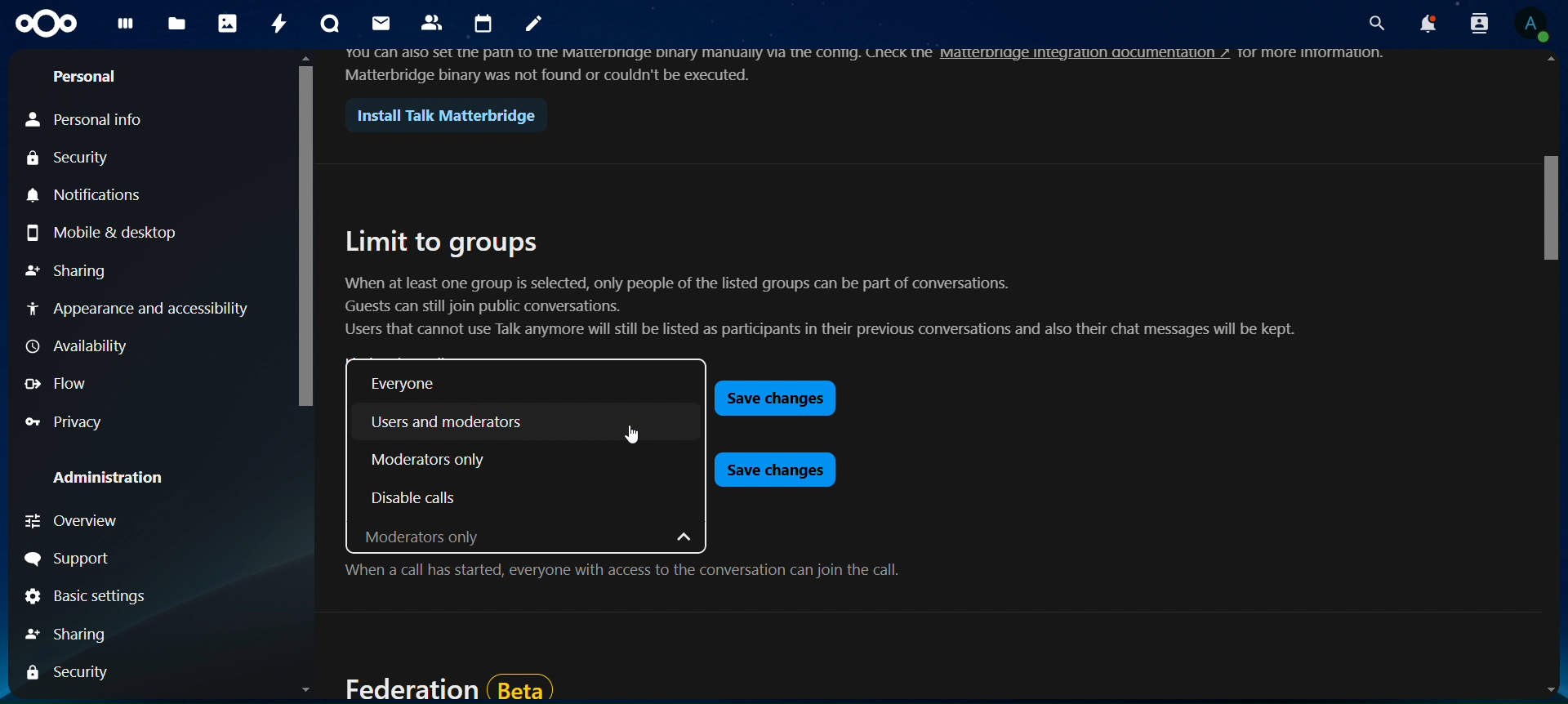  I want to click on calendar, so click(486, 25).